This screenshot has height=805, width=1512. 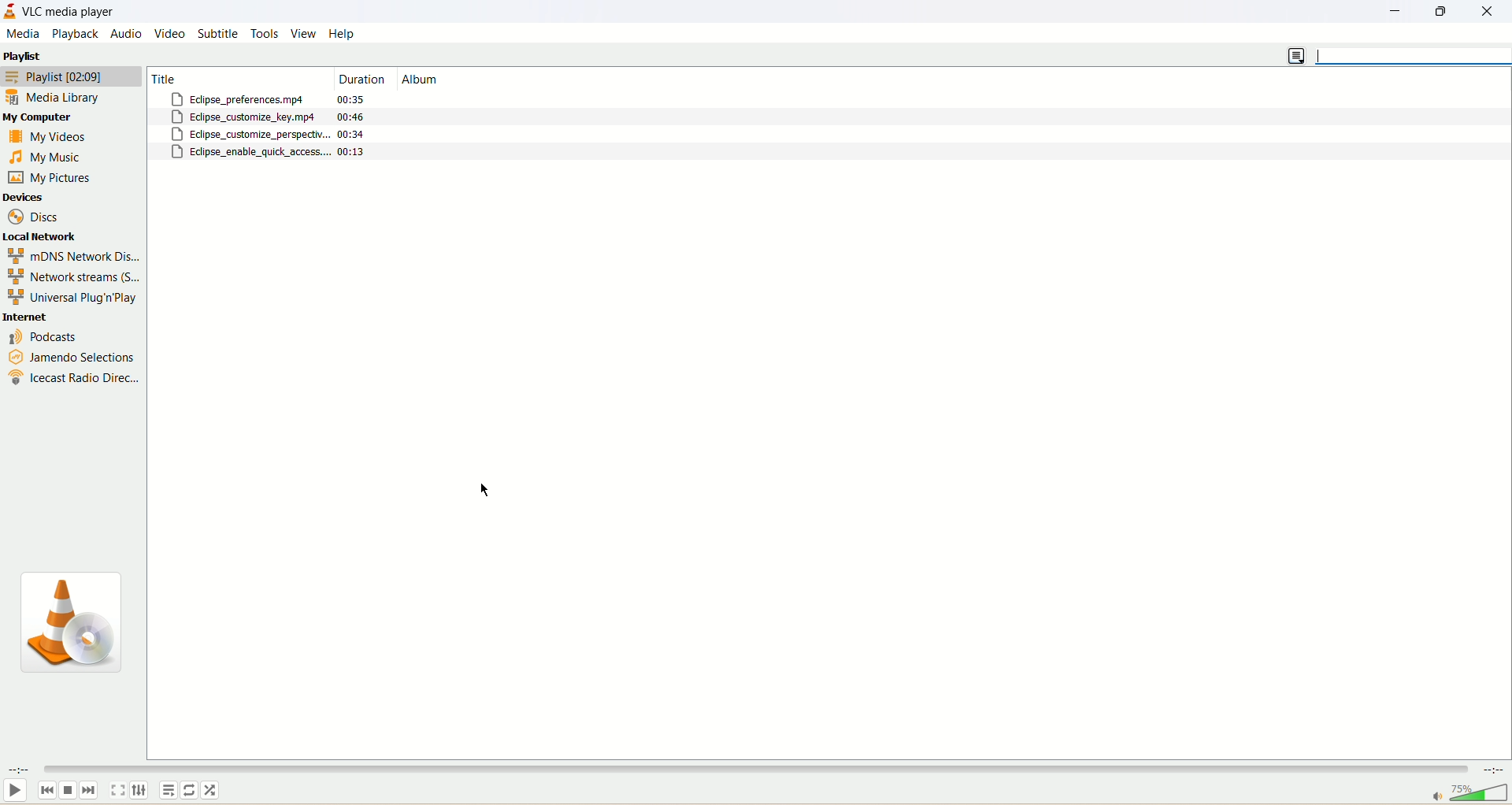 I want to click on internet, so click(x=76, y=316).